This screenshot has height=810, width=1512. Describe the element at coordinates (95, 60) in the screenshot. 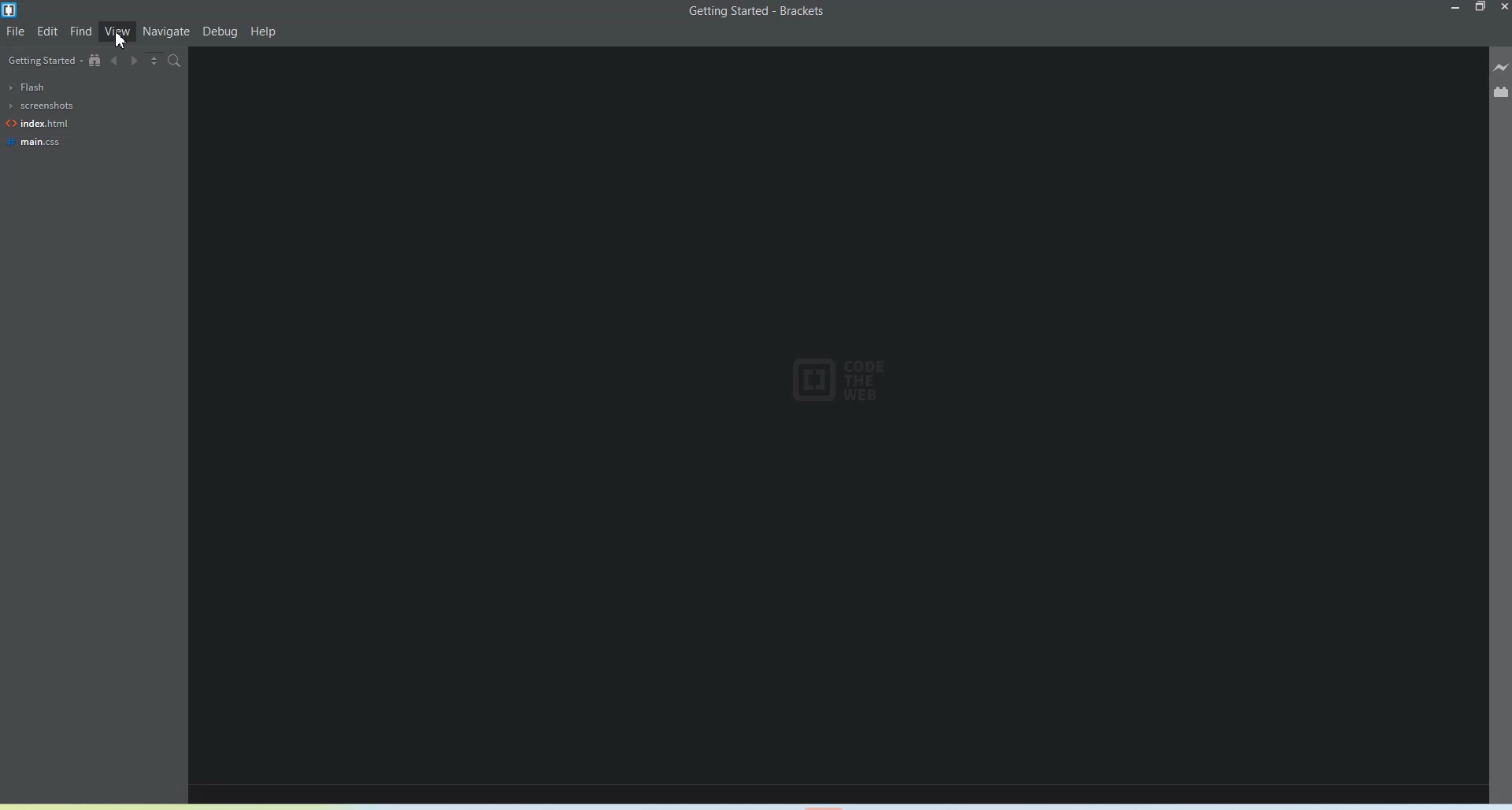

I see `View in file tree` at that location.